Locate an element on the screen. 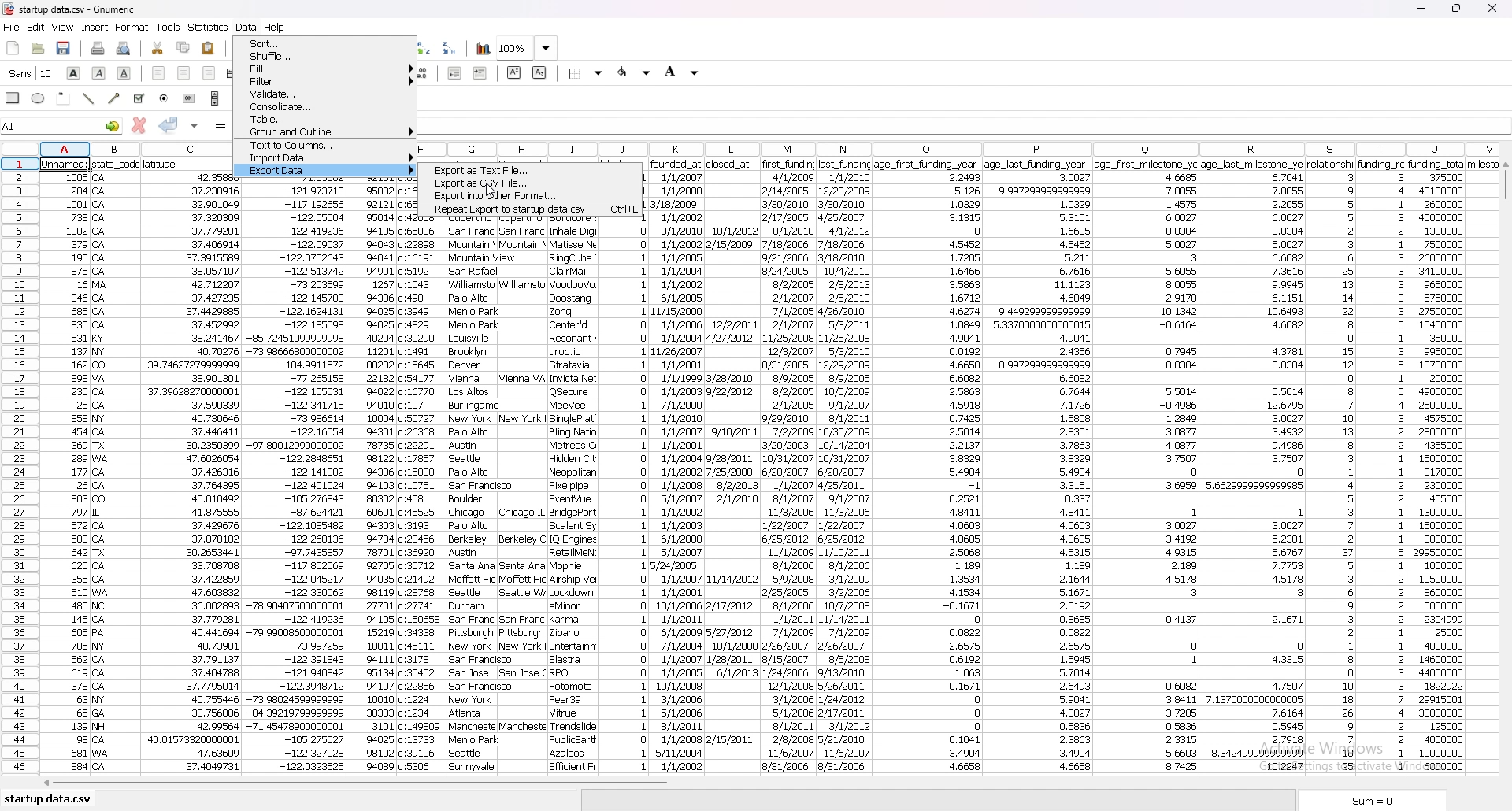  arrowed line is located at coordinates (116, 98).